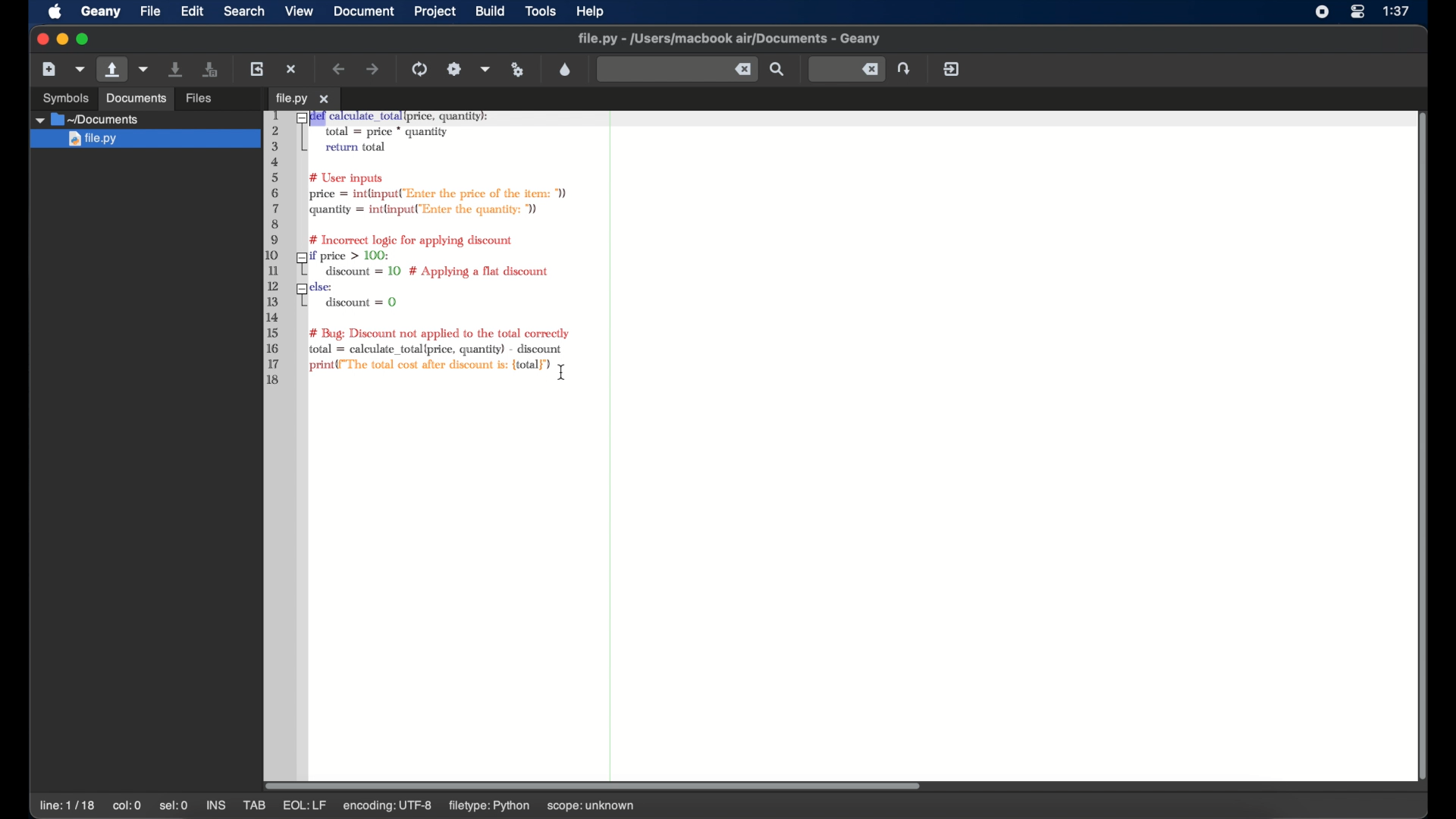  I want to click on open a recent file, so click(144, 69).